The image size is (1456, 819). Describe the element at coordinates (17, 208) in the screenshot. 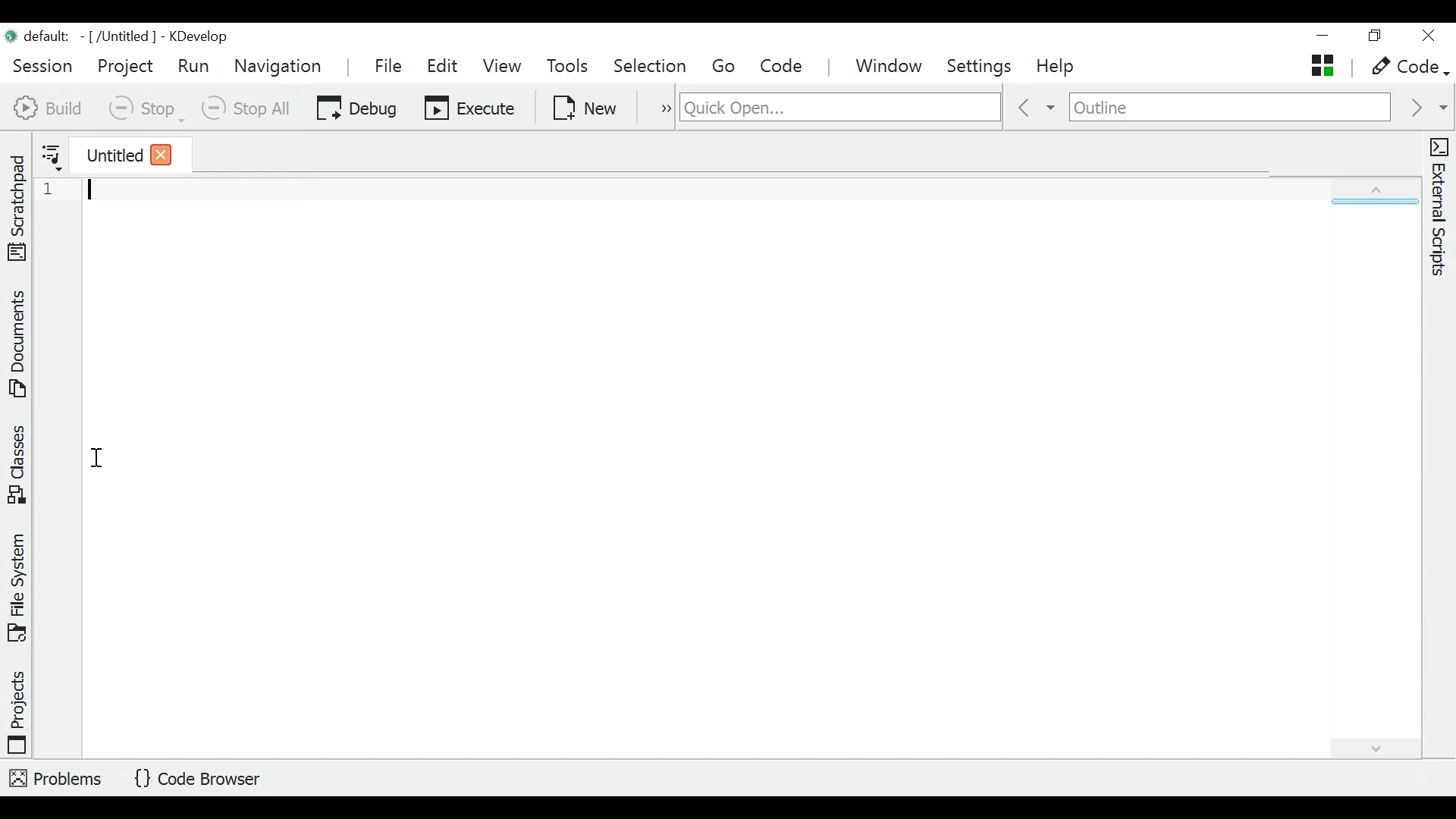

I see `Scratchpad` at that location.